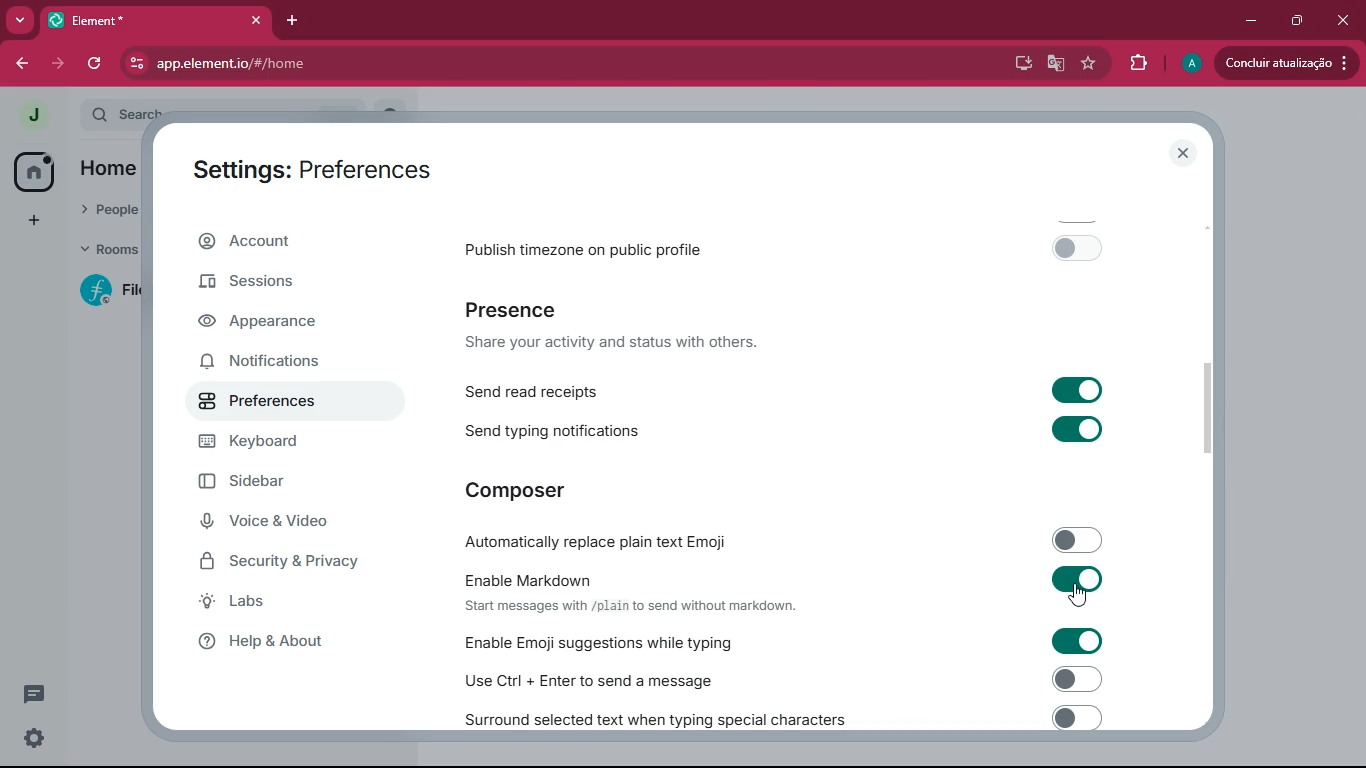  What do you see at coordinates (20, 20) in the screenshot?
I see `more` at bounding box center [20, 20].